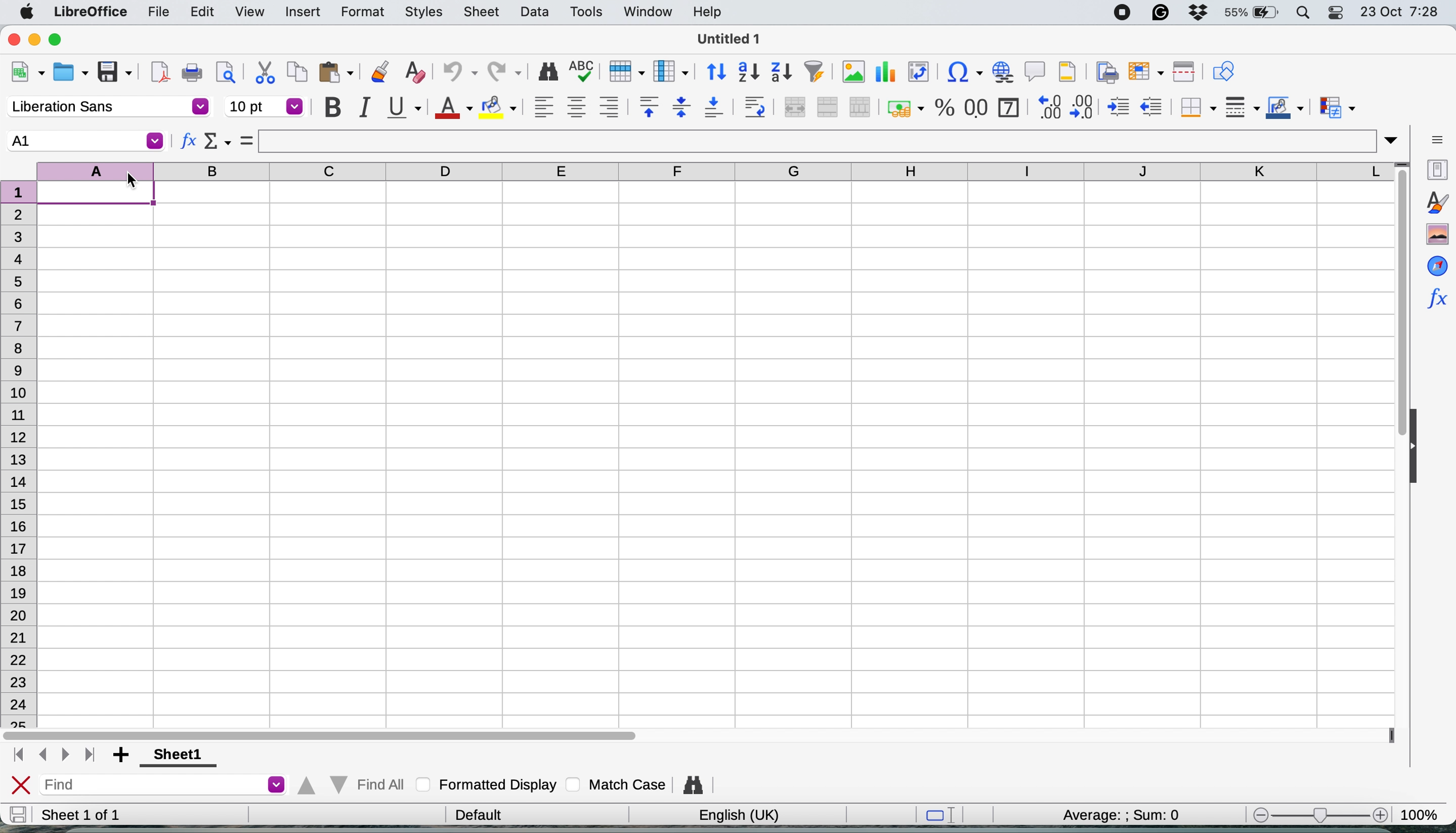 The width and height of the screenshot is (1456, 833). What do you see at coordinates (367, 108) in the screenshot?
I see `italic` at bounding box center [367, 108].